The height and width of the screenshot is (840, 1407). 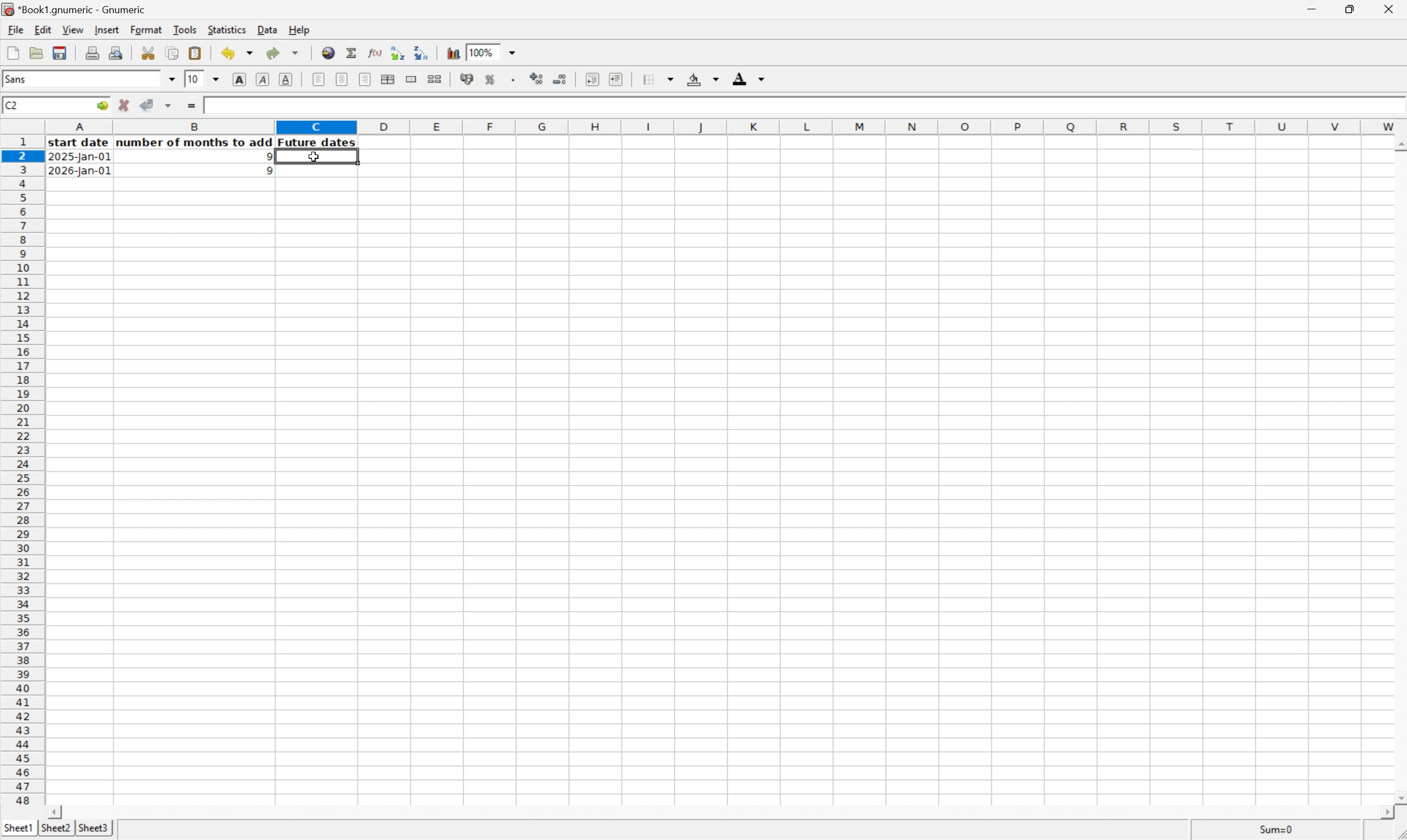 What do you see at coordinates (265, 172) in the screenshot?
I see `9` at bounding box center [265, 172].